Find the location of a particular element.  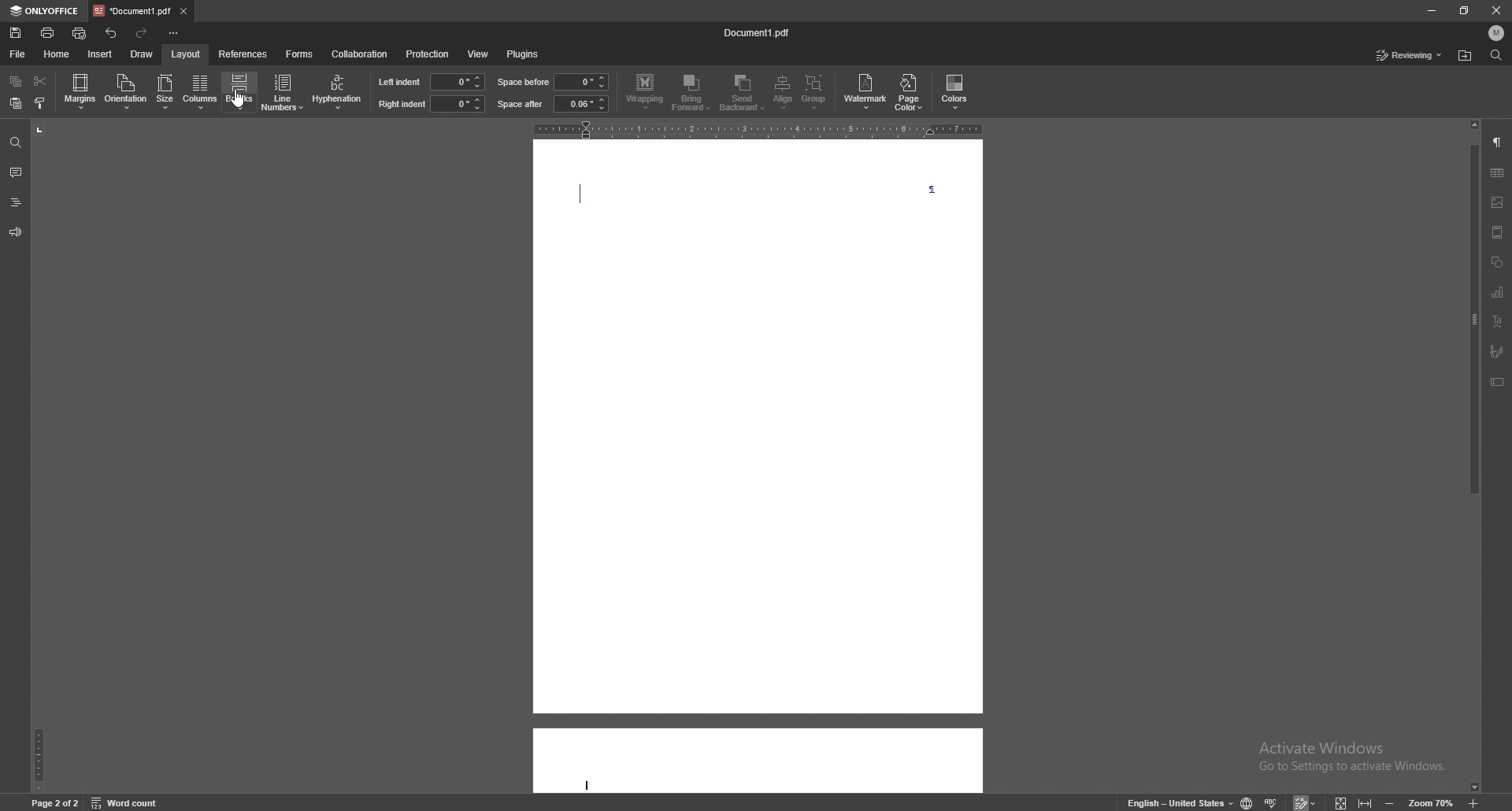

redo is located at coordinates (143, 32).